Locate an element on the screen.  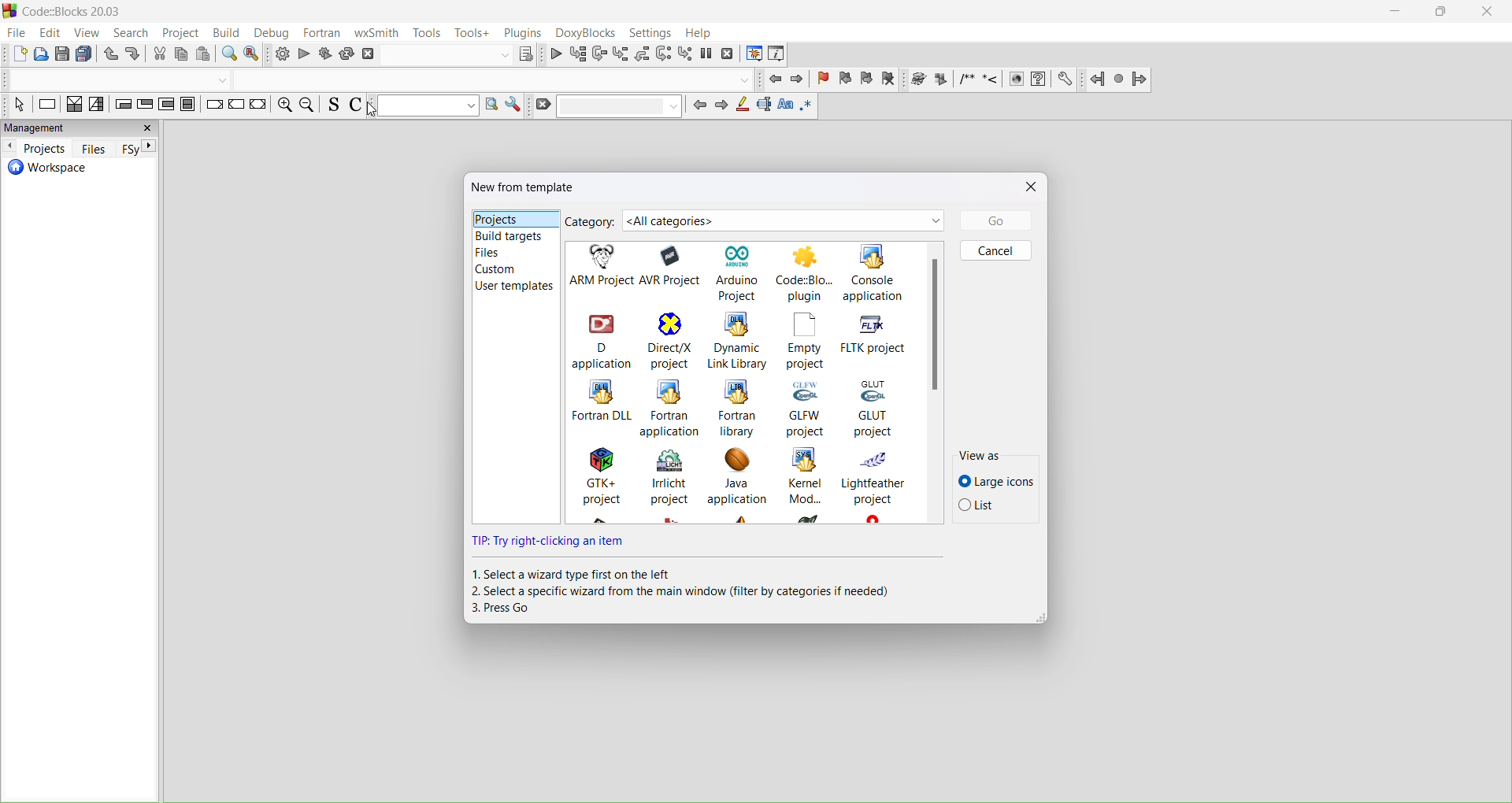
GLFW project is located at coordinates (806, 407).